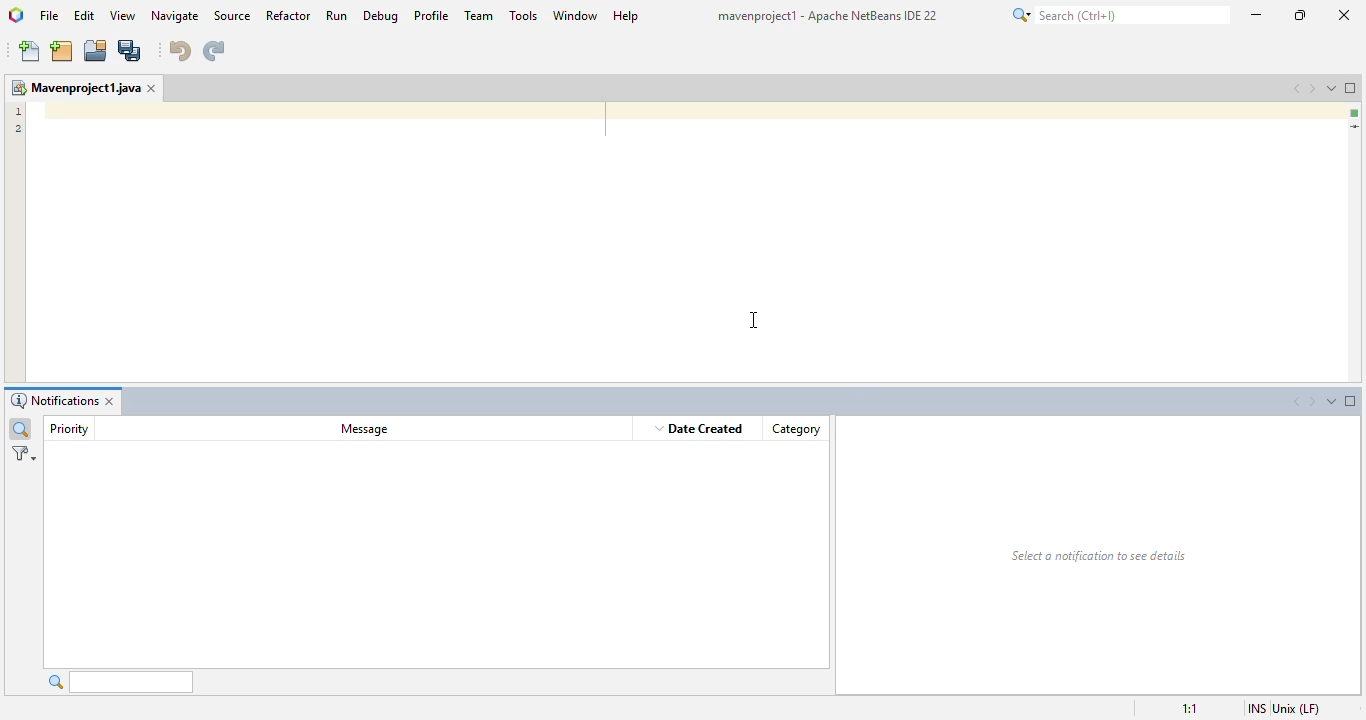  I want to click on mavenproject1 - Apache Netbeans IDE 23, so click(830, 15).